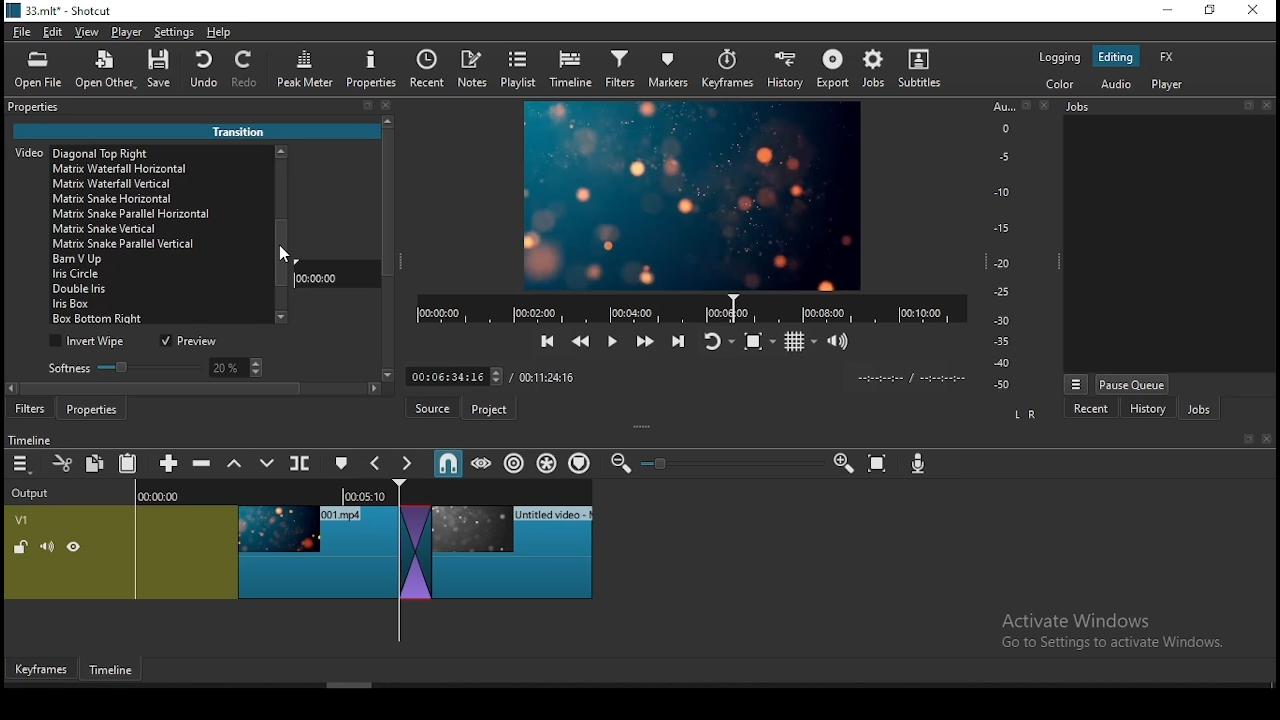 The height and width of the screenshot is (720, 1280). Describe the element at coordinates (1168, 86) in the screenshot. I see `player` at that location.